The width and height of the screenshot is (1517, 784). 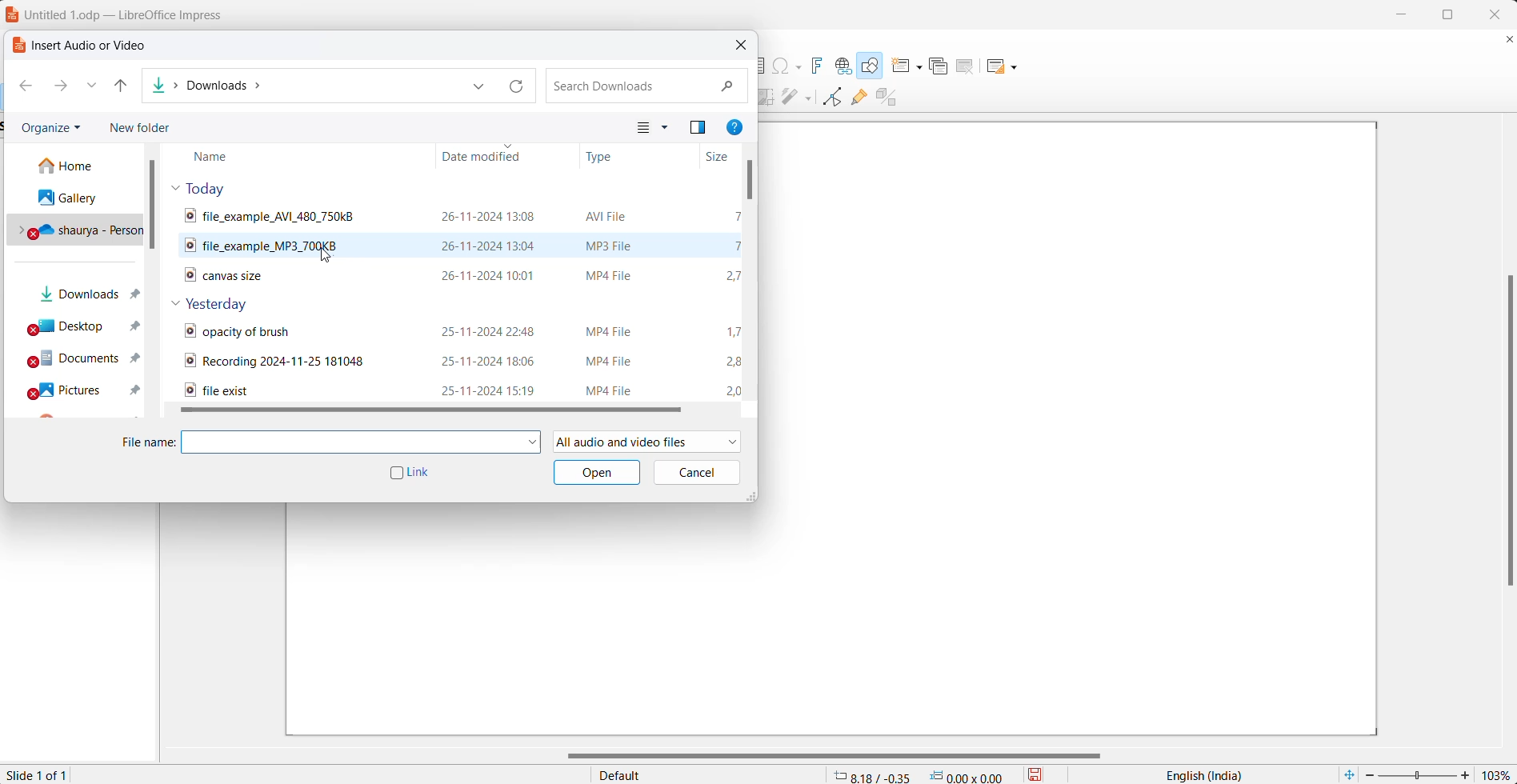 I want to click on date modified, so click(x=489, y=156).